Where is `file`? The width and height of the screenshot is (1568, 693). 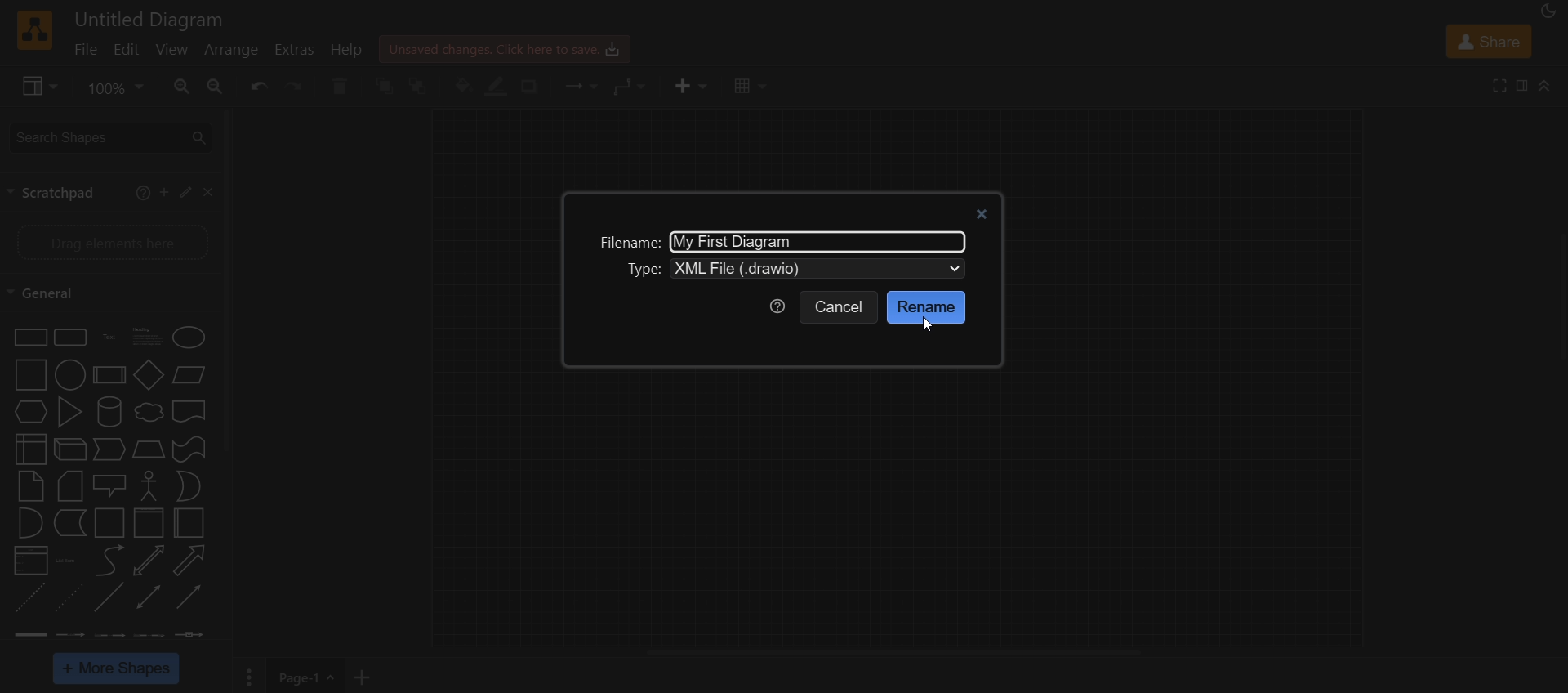 file is located at coordinates (86, 51).